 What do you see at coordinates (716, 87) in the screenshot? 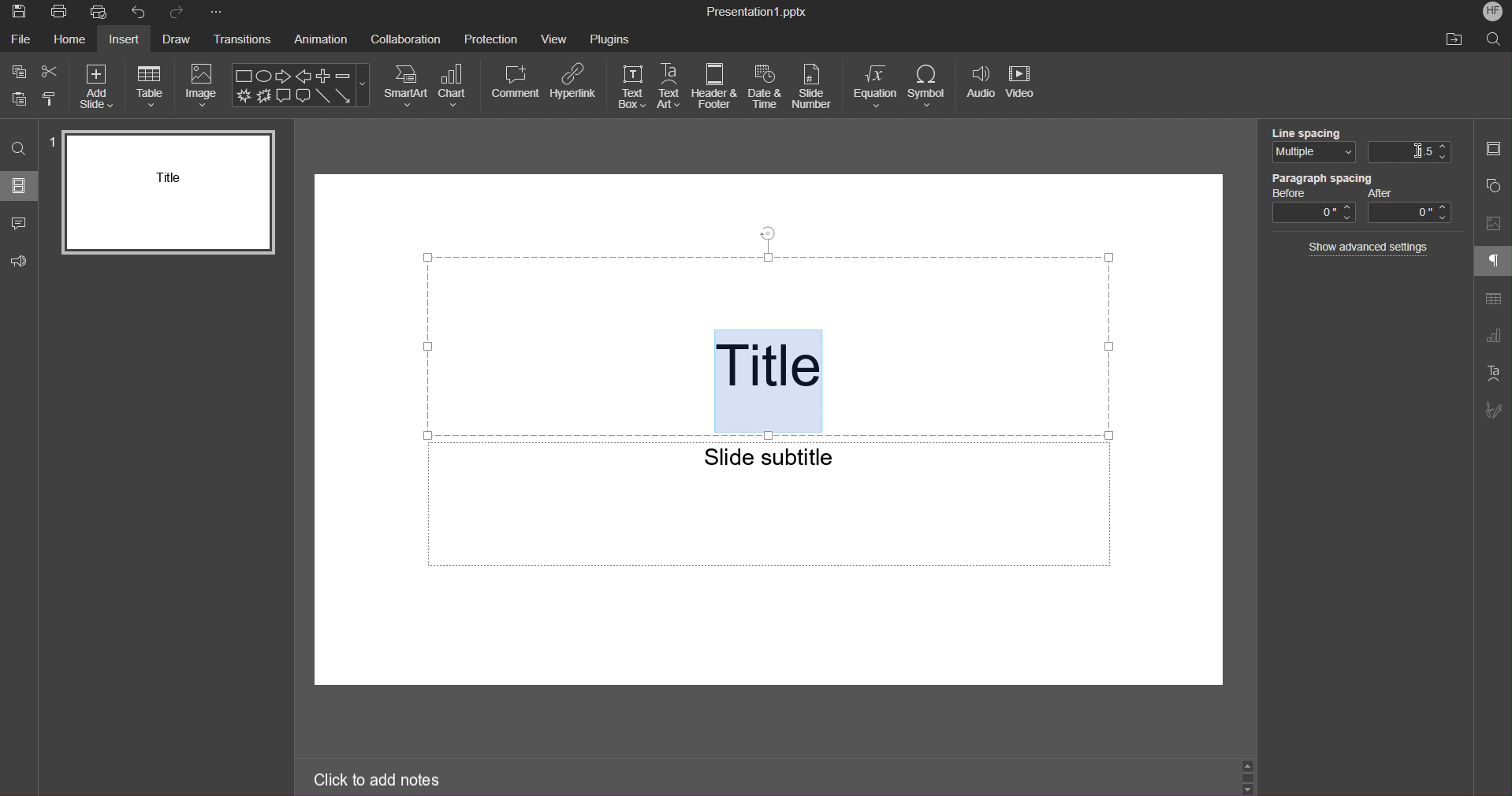
I see `Header & Footer` at bounding box center [716, 87].